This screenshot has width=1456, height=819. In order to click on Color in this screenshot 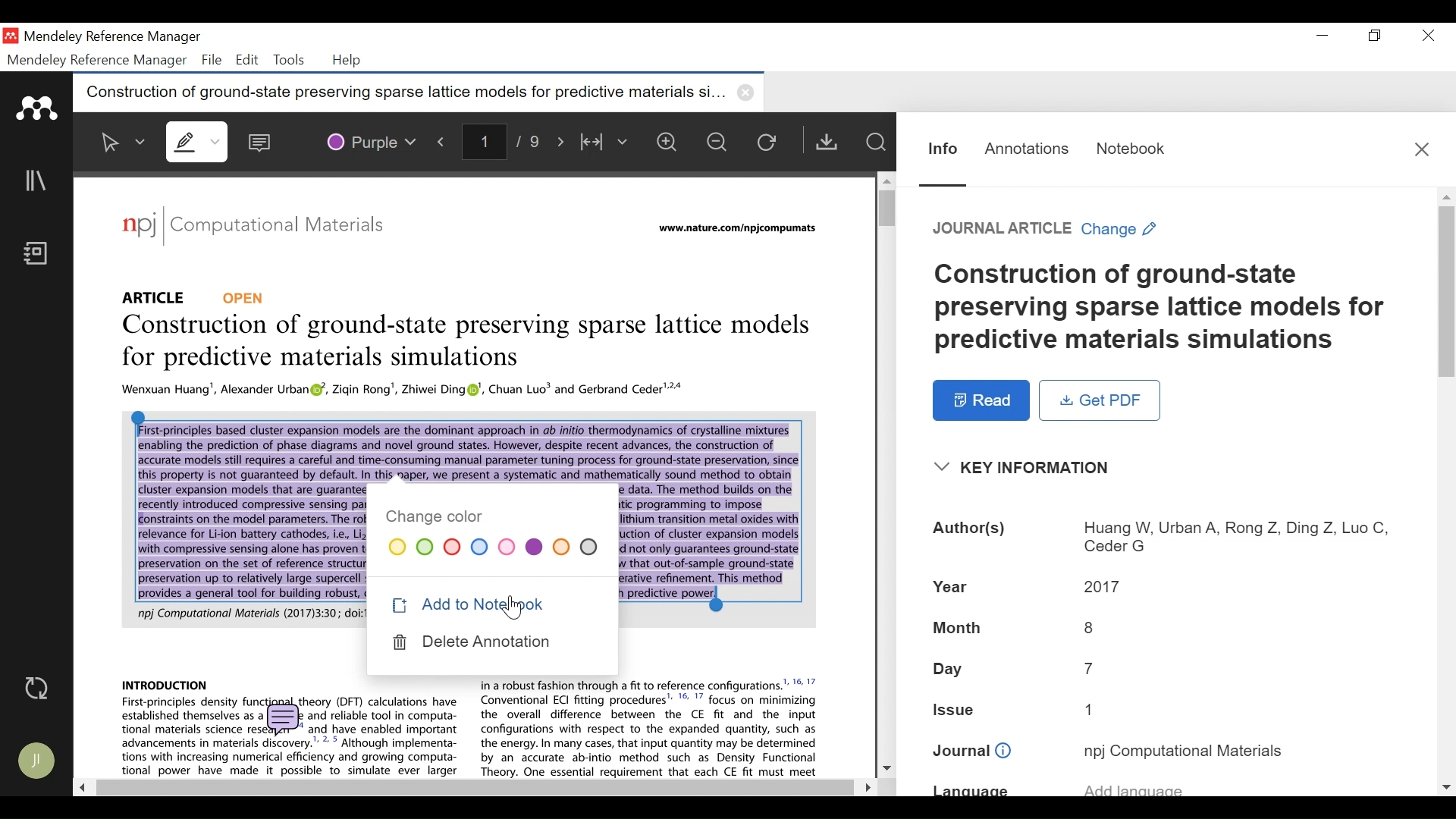, I will do `click(370, 140)`.